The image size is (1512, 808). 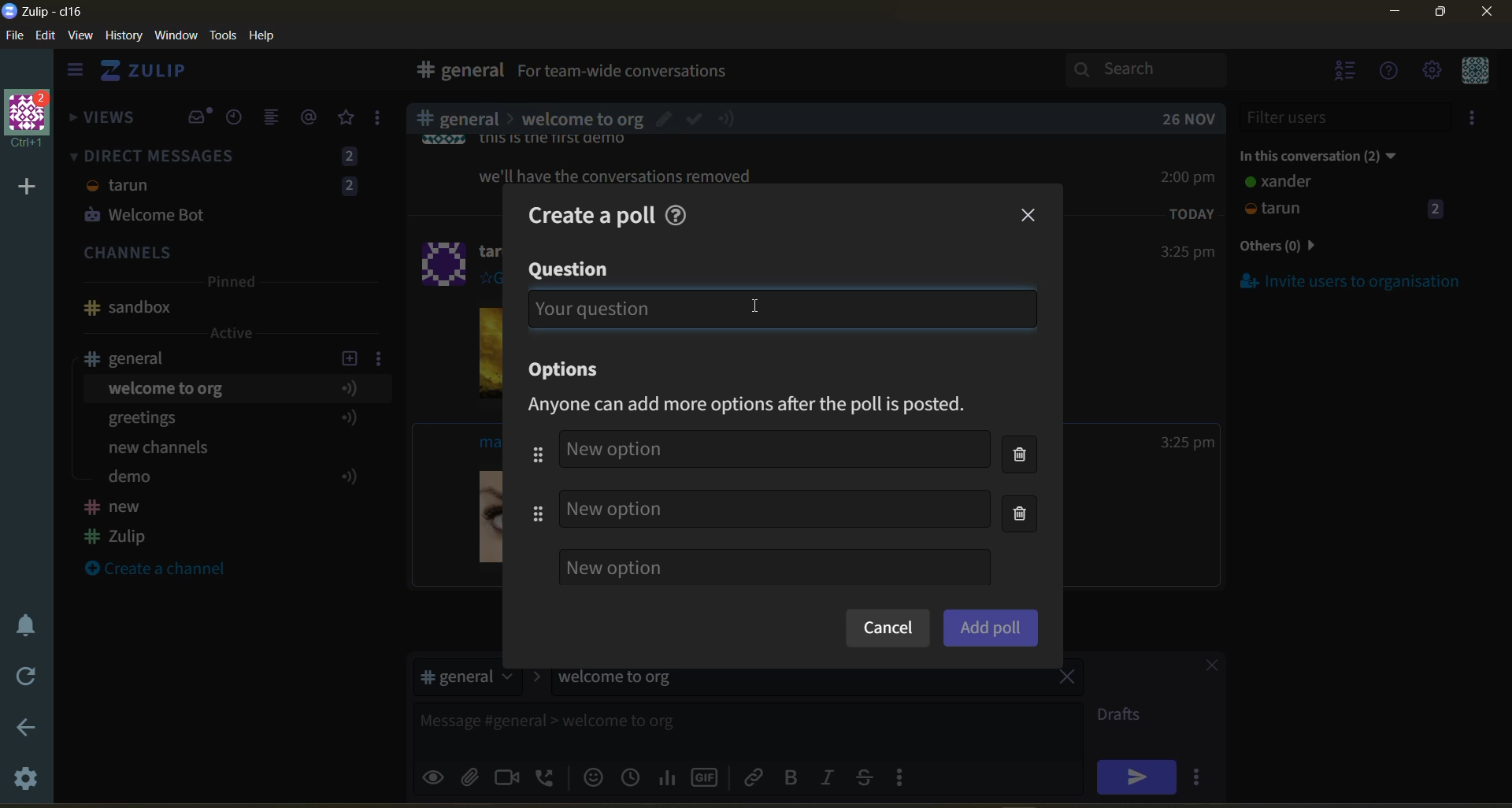 I want to click on help menu, so click(x=1390, y=72).